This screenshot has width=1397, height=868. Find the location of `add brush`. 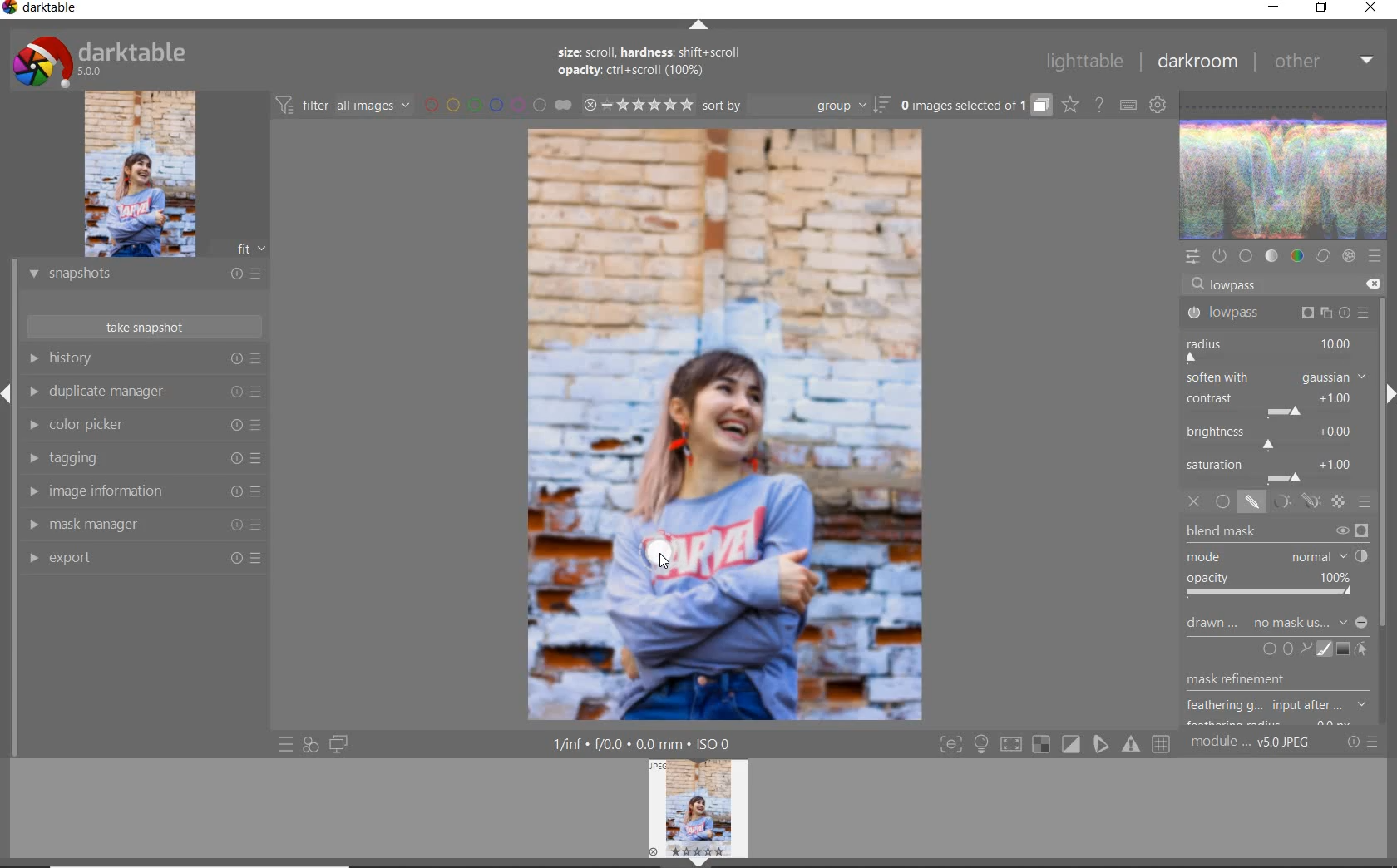

add brush is located at coordinates (1322, 649).